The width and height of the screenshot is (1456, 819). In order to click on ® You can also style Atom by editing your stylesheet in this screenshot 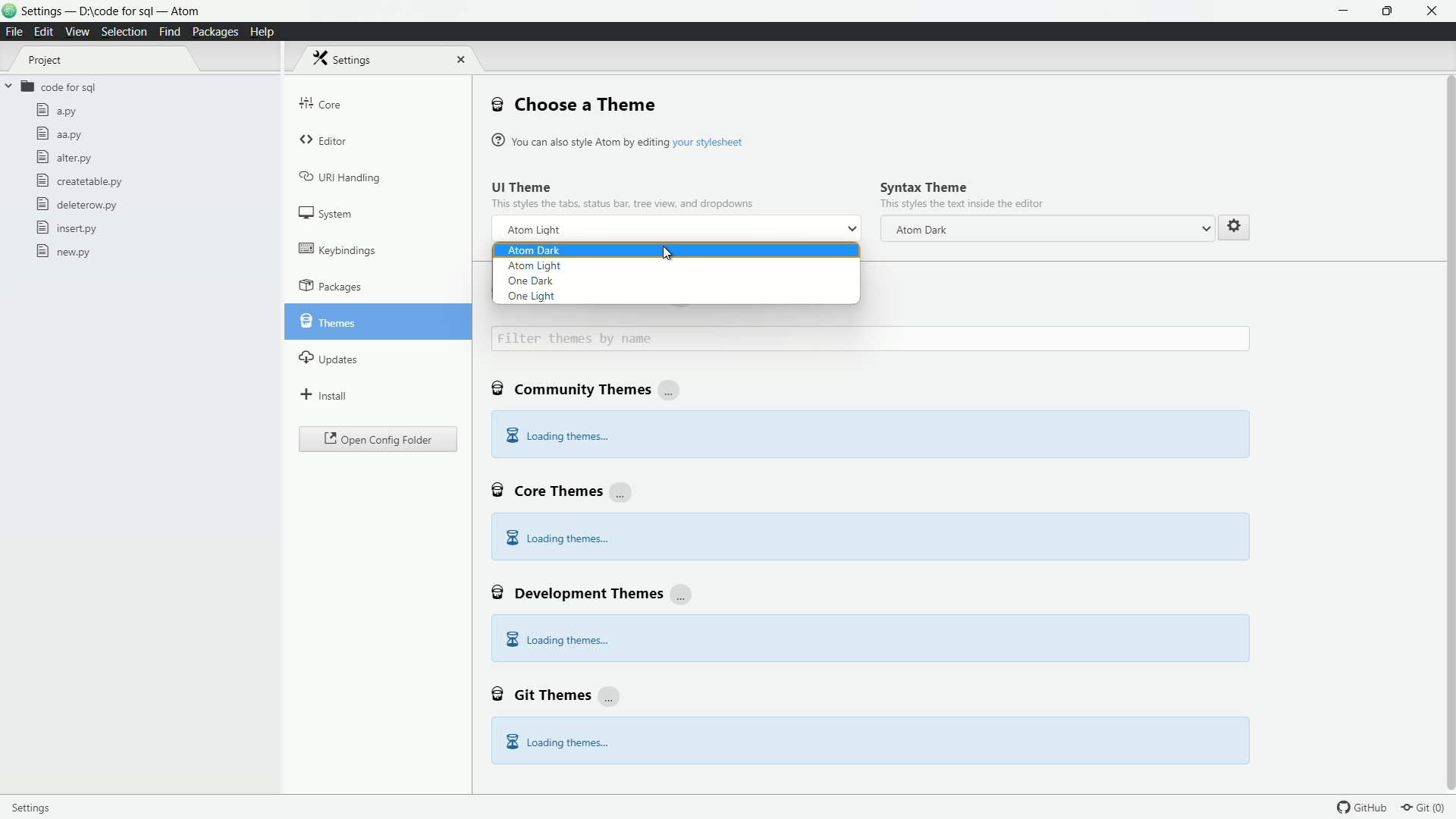, I will do `click(620, 140)`.